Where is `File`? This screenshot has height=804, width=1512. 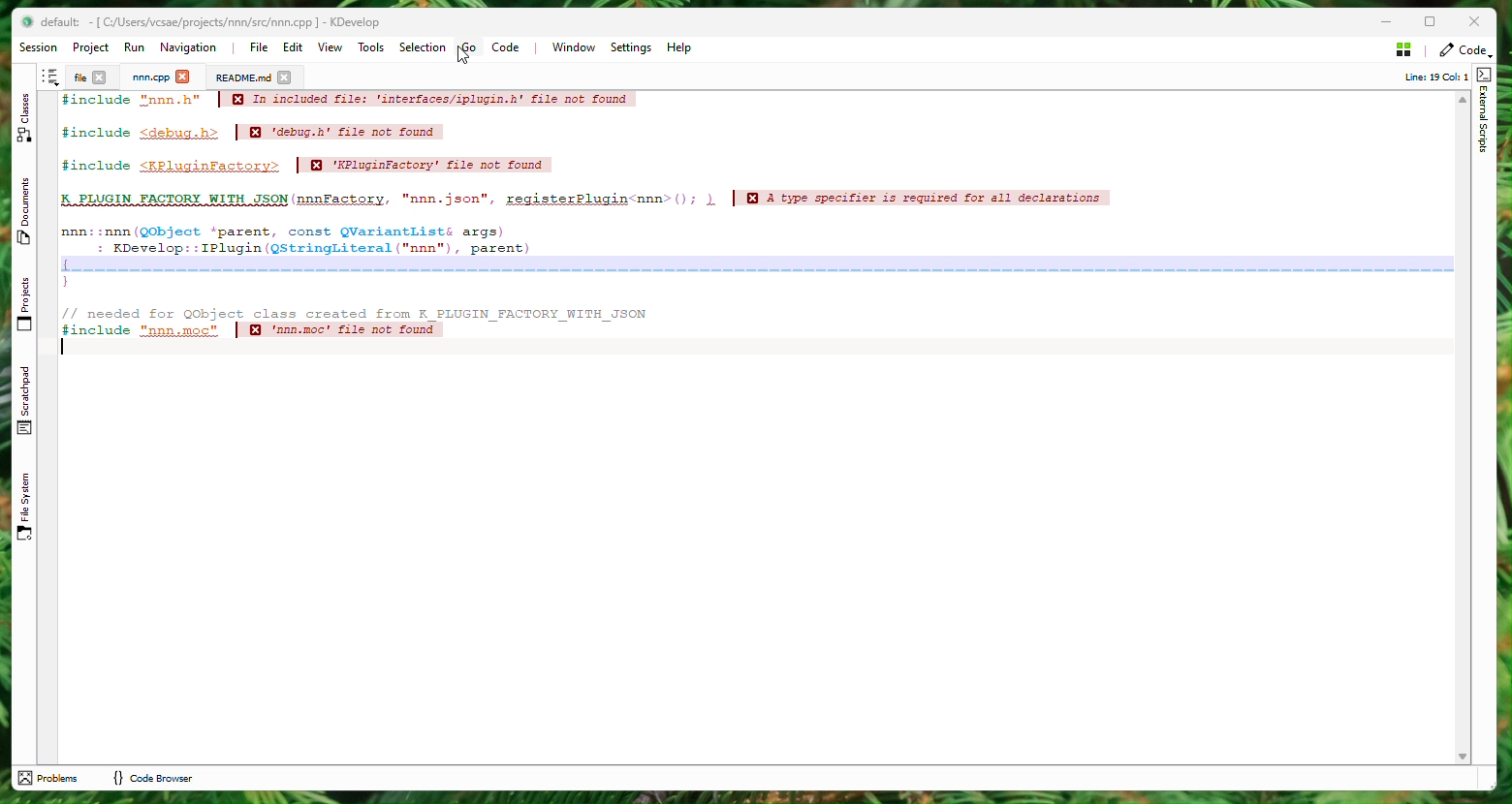
File is located at coordinates (78, 77).